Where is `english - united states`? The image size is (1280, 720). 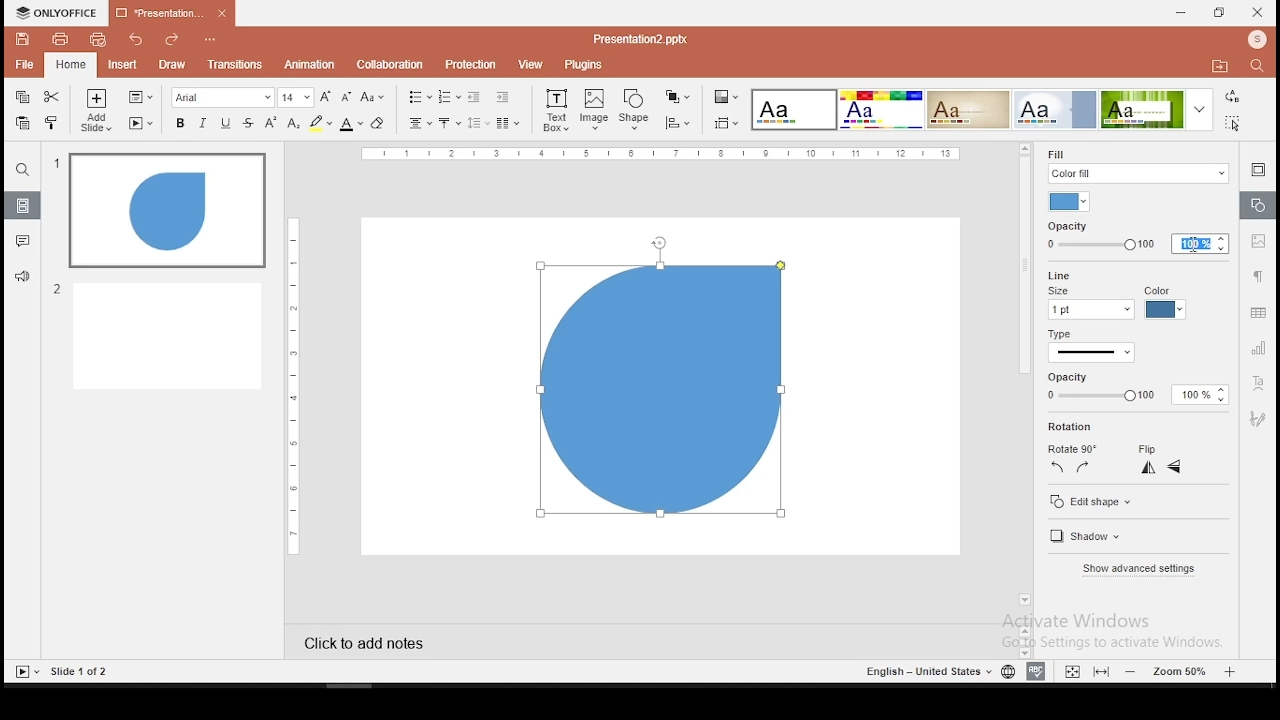 english - united states is located at coordinates (925, 674).